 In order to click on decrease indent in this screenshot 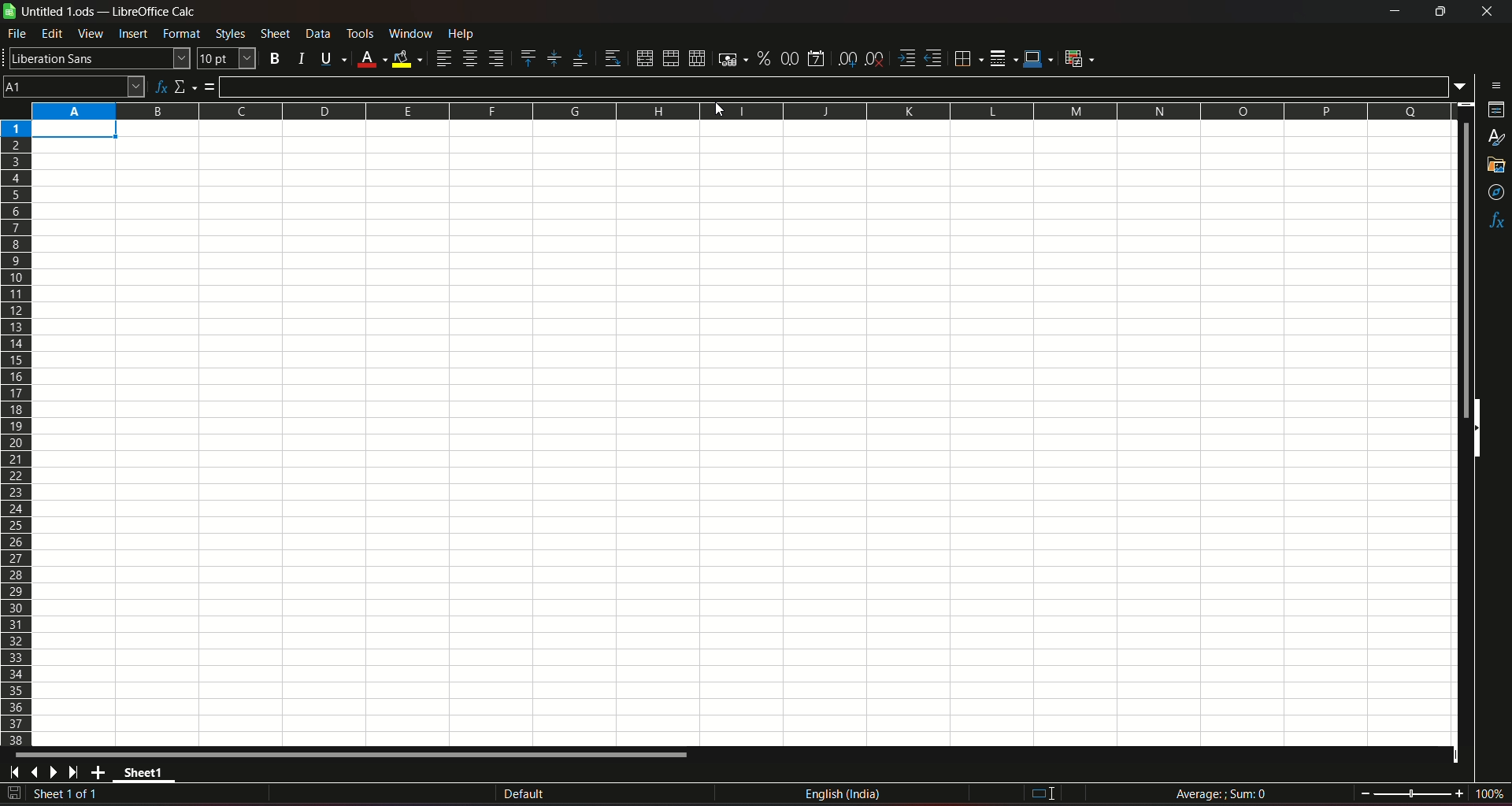, I will do `click(934, 59)`.